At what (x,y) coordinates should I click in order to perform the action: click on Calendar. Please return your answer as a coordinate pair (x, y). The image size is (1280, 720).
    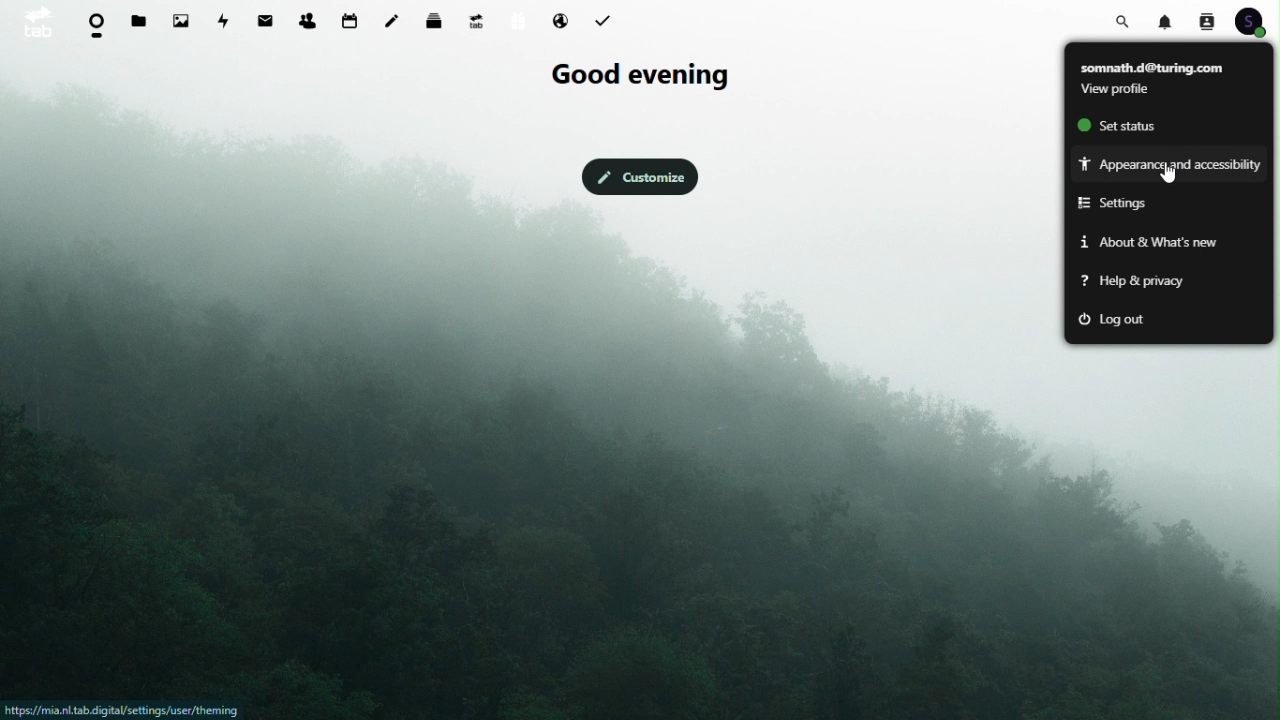
    Looking at the image, I should click on (350, 20).